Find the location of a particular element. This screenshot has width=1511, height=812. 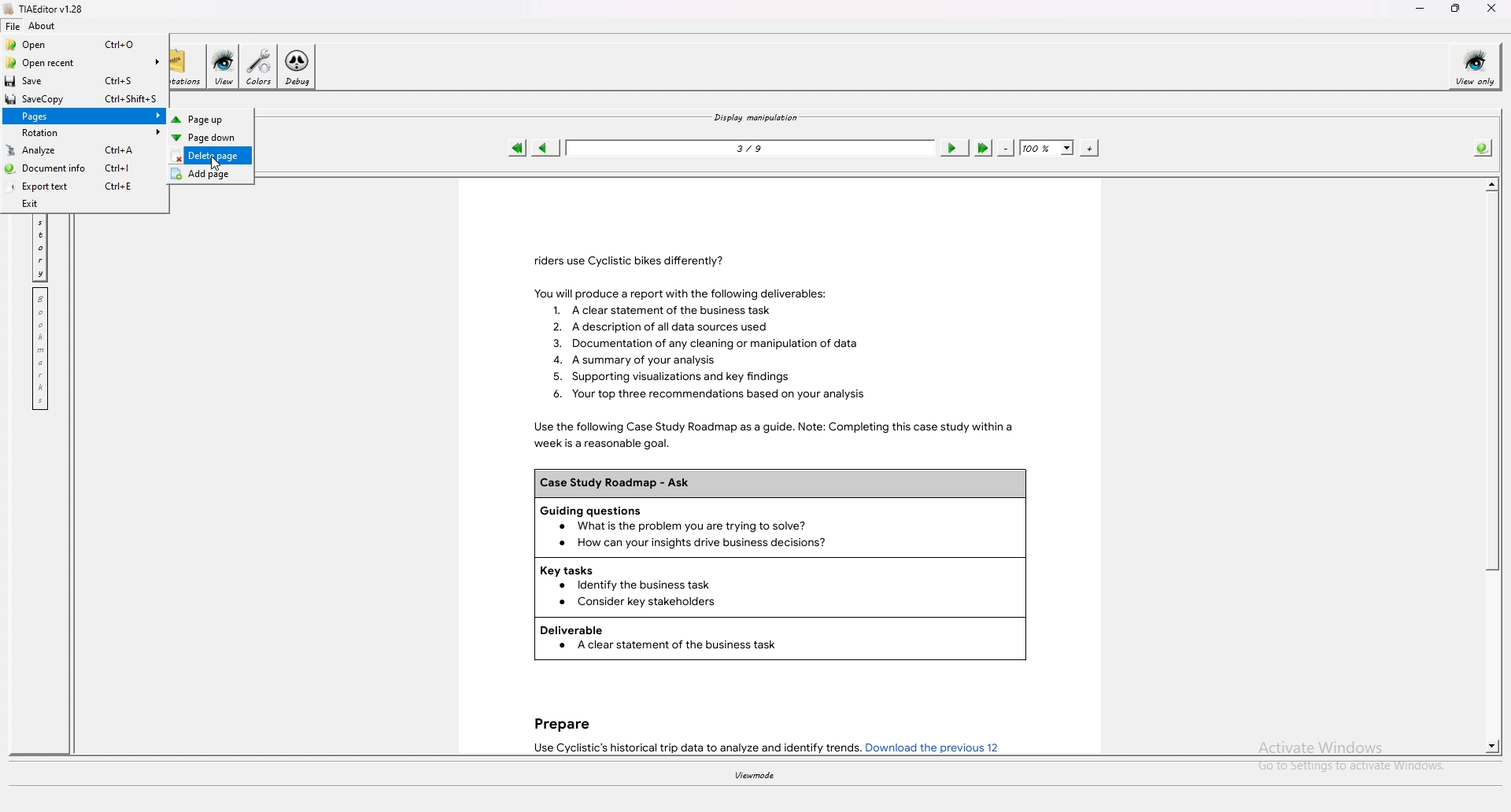

Download the previous 12 is located at coordinates (937, 747).